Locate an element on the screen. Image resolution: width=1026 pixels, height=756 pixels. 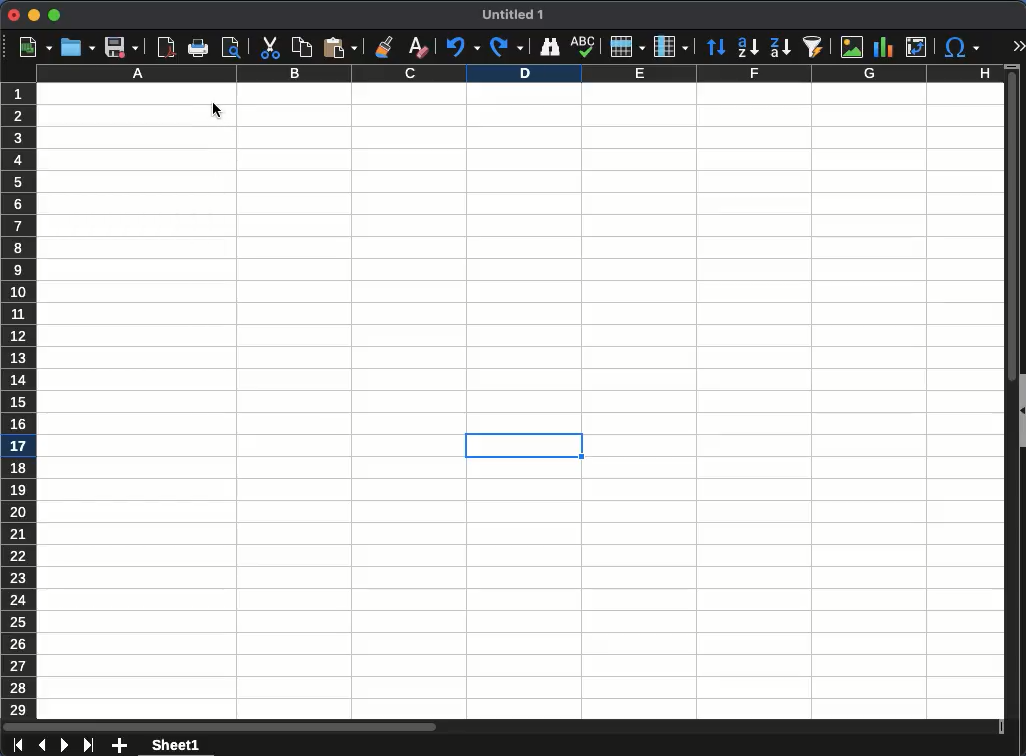
collapse is located at coordinates (1020, 412).